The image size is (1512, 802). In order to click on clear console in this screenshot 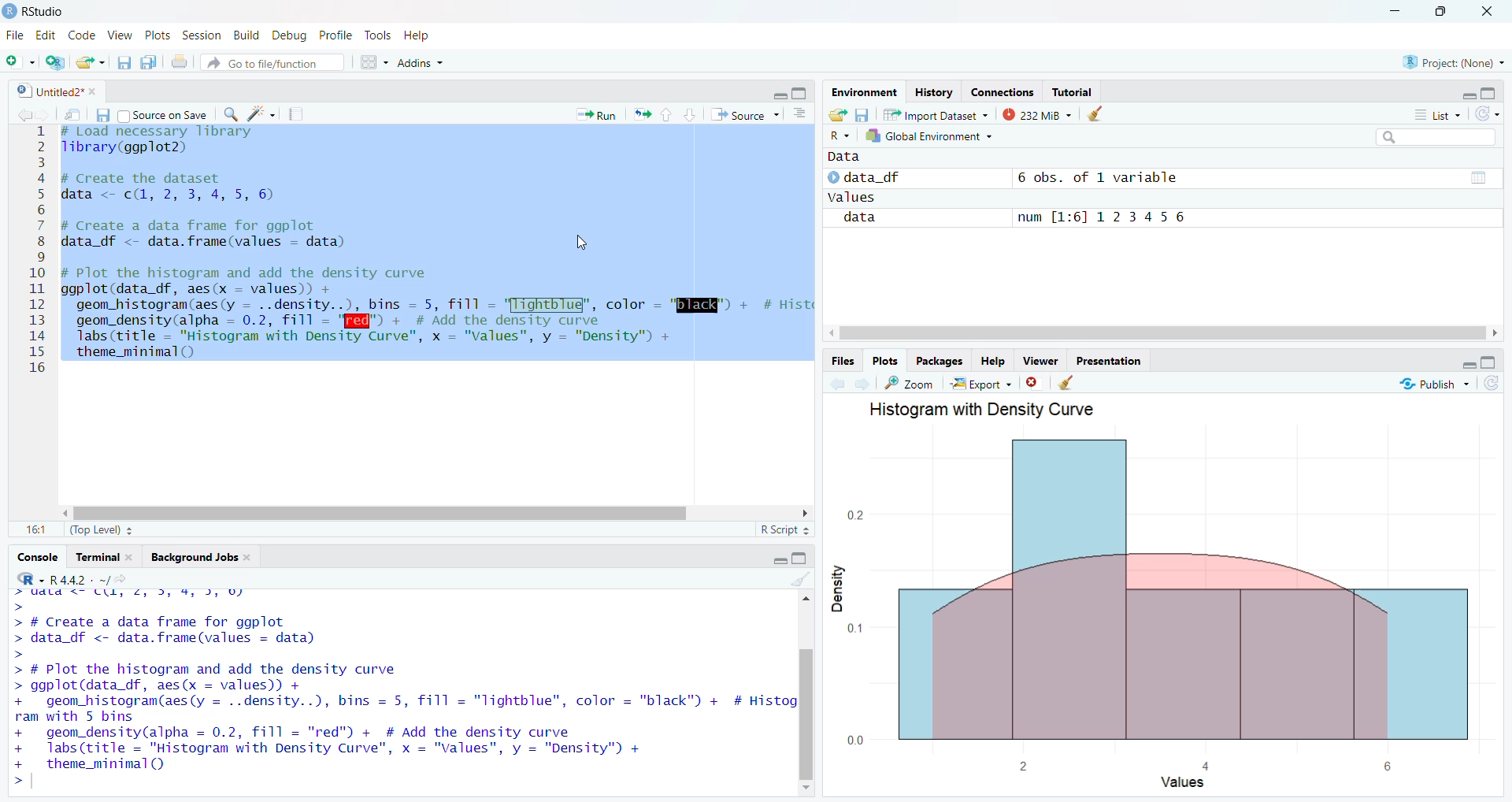, I will do `click(800, 581)`.